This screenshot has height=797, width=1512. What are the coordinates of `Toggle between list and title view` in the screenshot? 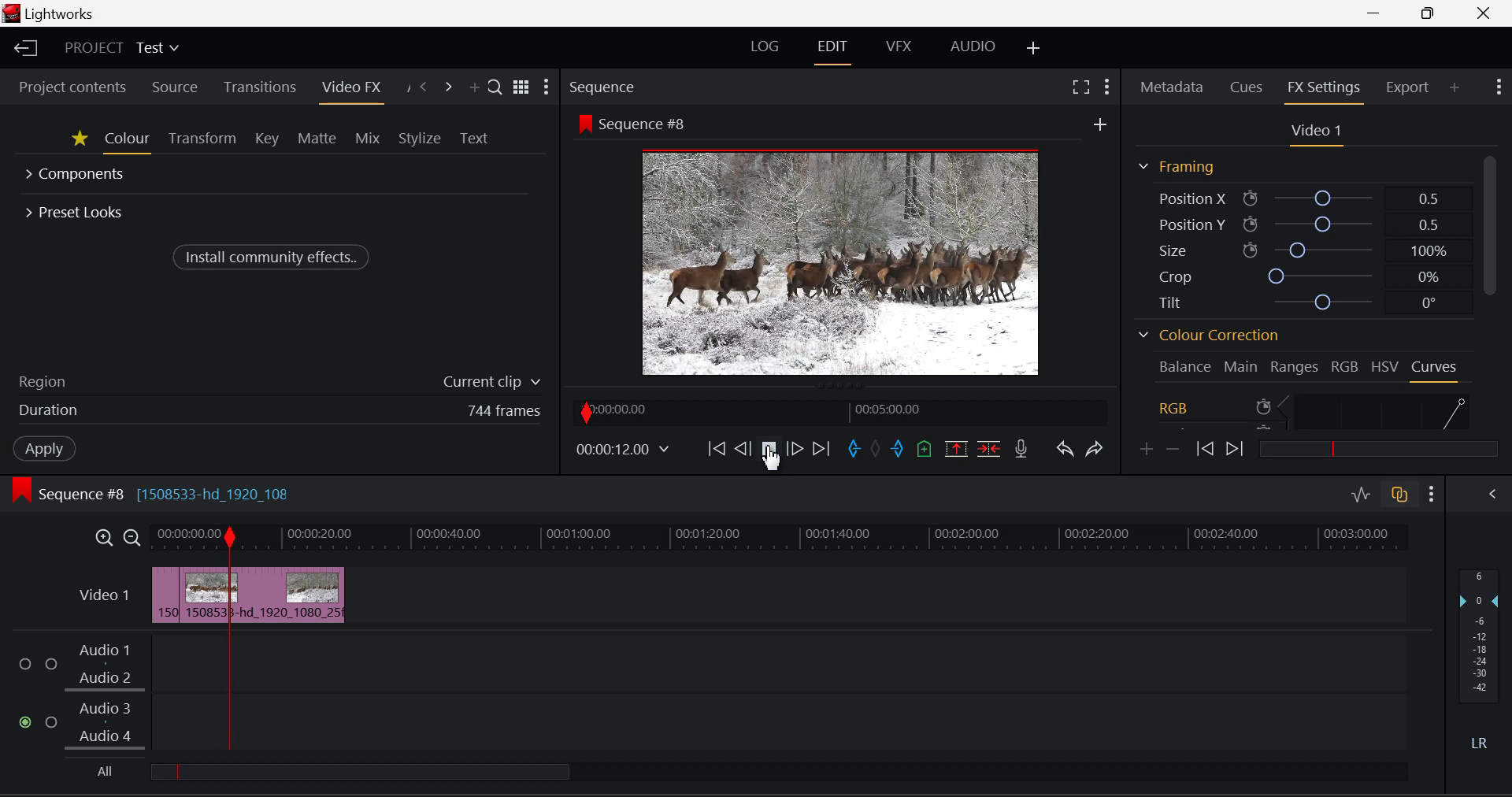 It's located at (521, 87).